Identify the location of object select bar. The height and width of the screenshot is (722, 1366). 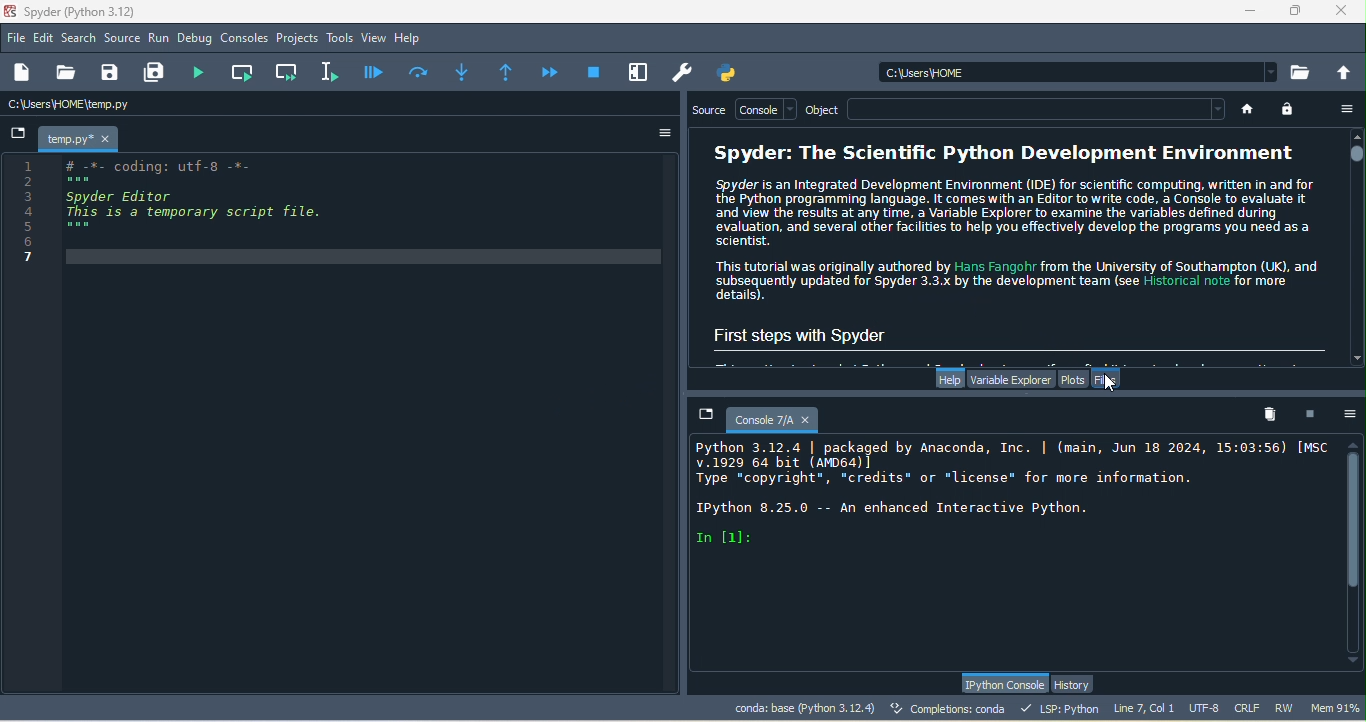
(1035, 108).